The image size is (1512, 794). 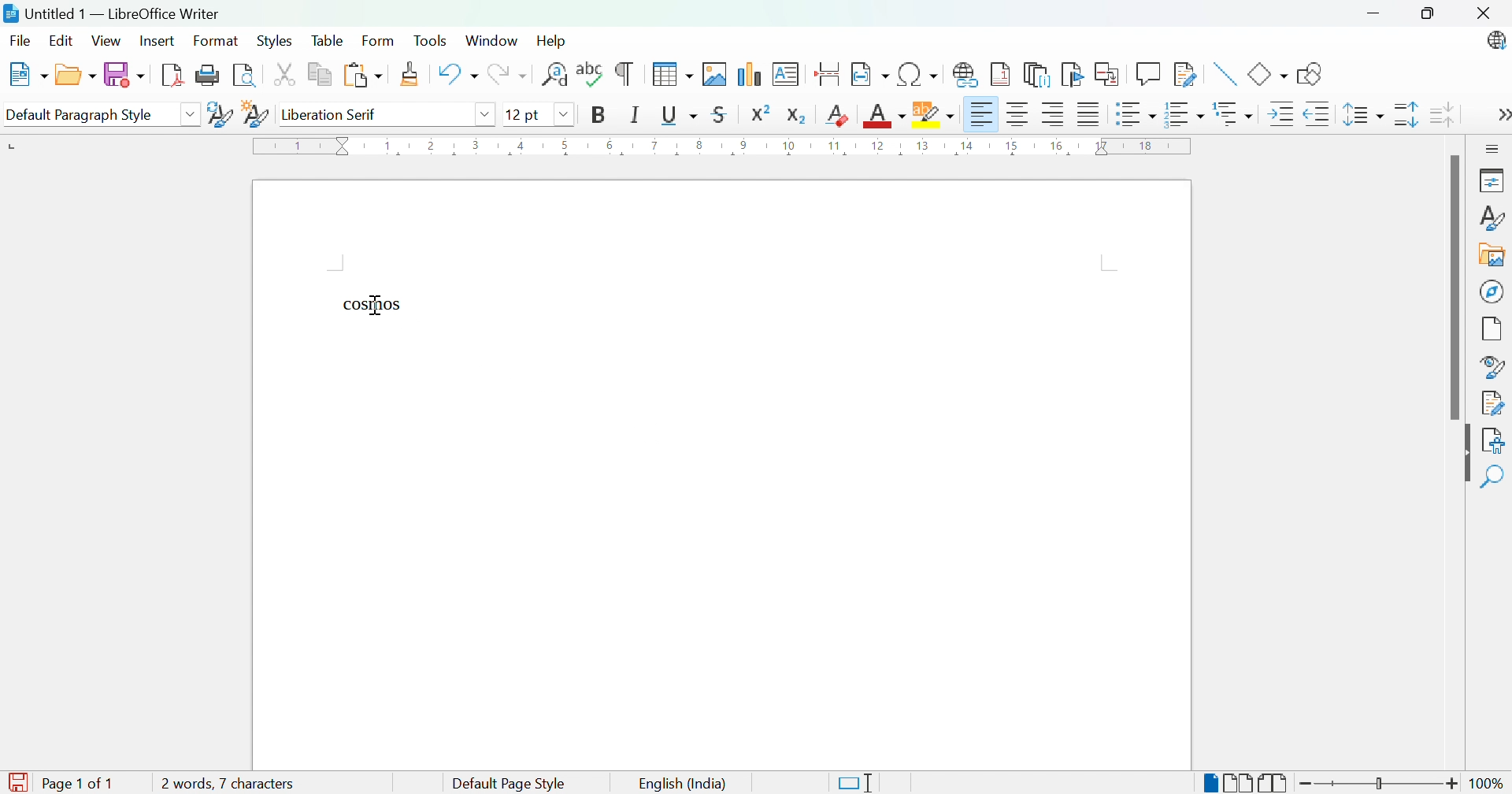 What do you see at coordinates (837, 116) in the screenshot?
I see `Clear direct formatting` at bounding box center [837, 116].